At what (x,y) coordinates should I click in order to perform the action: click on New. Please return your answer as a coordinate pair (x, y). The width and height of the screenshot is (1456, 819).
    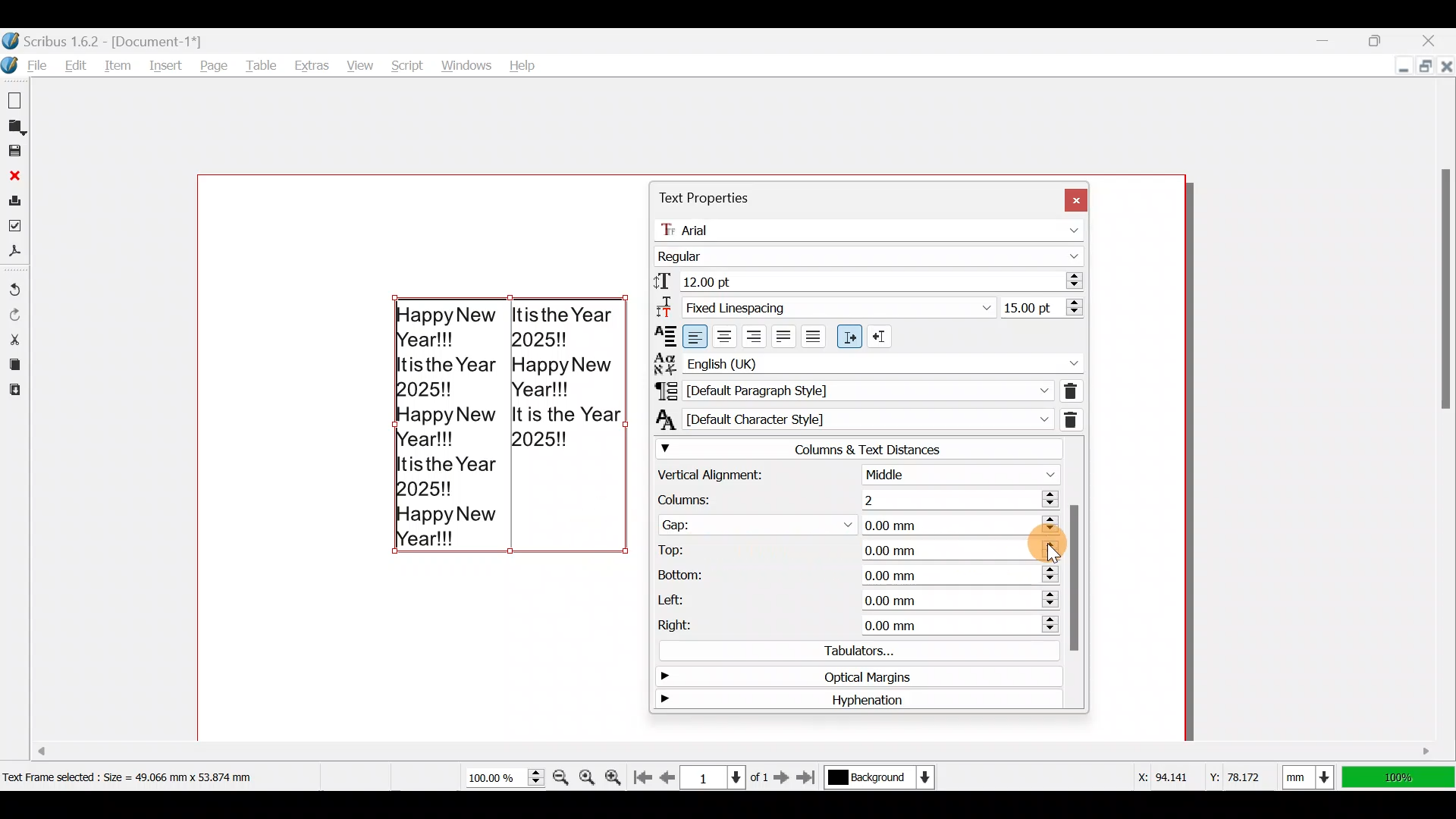
    Looking at the image, I should click on (17, 99).